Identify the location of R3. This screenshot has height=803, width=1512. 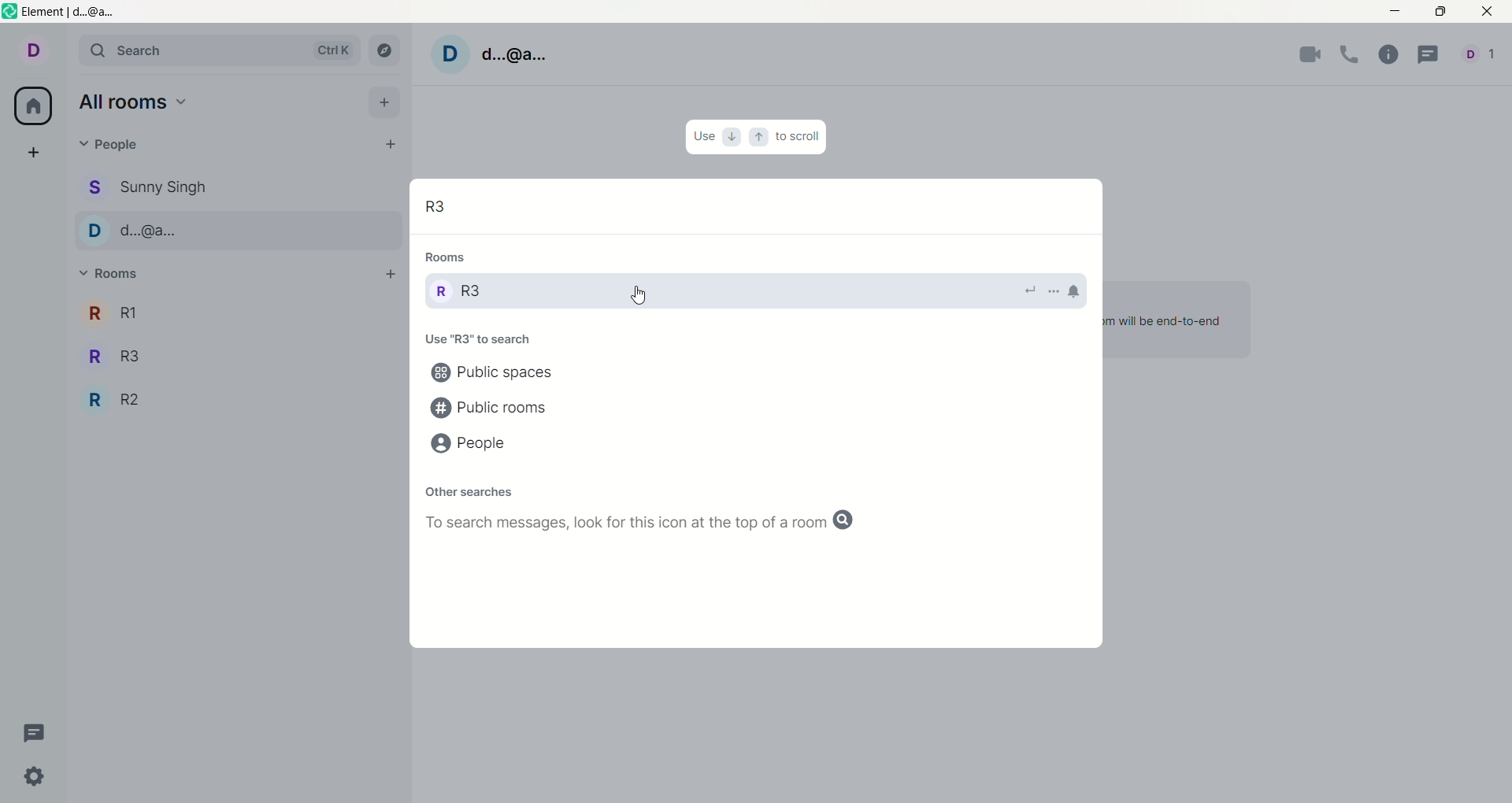
(470, 294).